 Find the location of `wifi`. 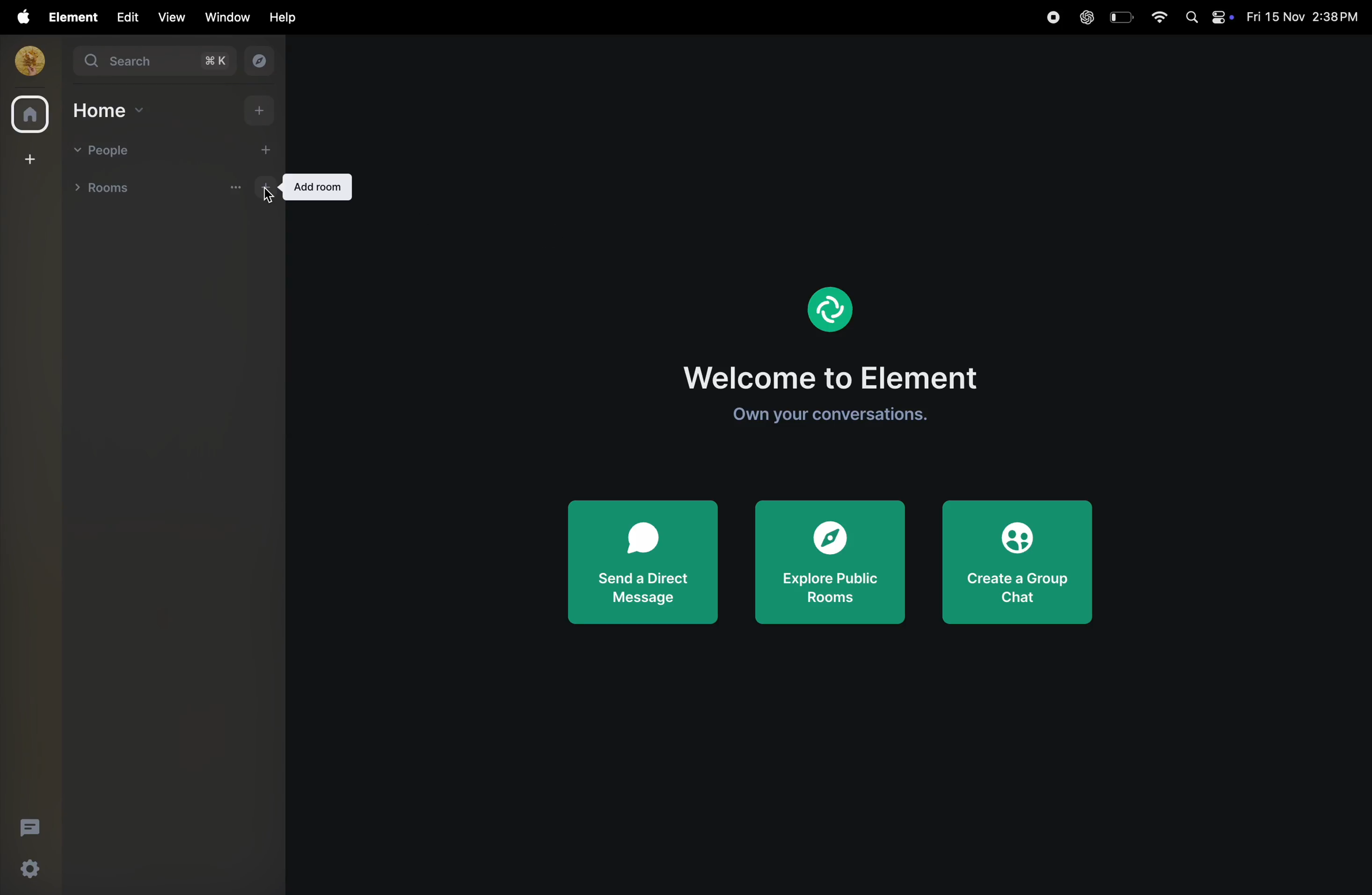

wifi is located at coordinates (1155, 16).